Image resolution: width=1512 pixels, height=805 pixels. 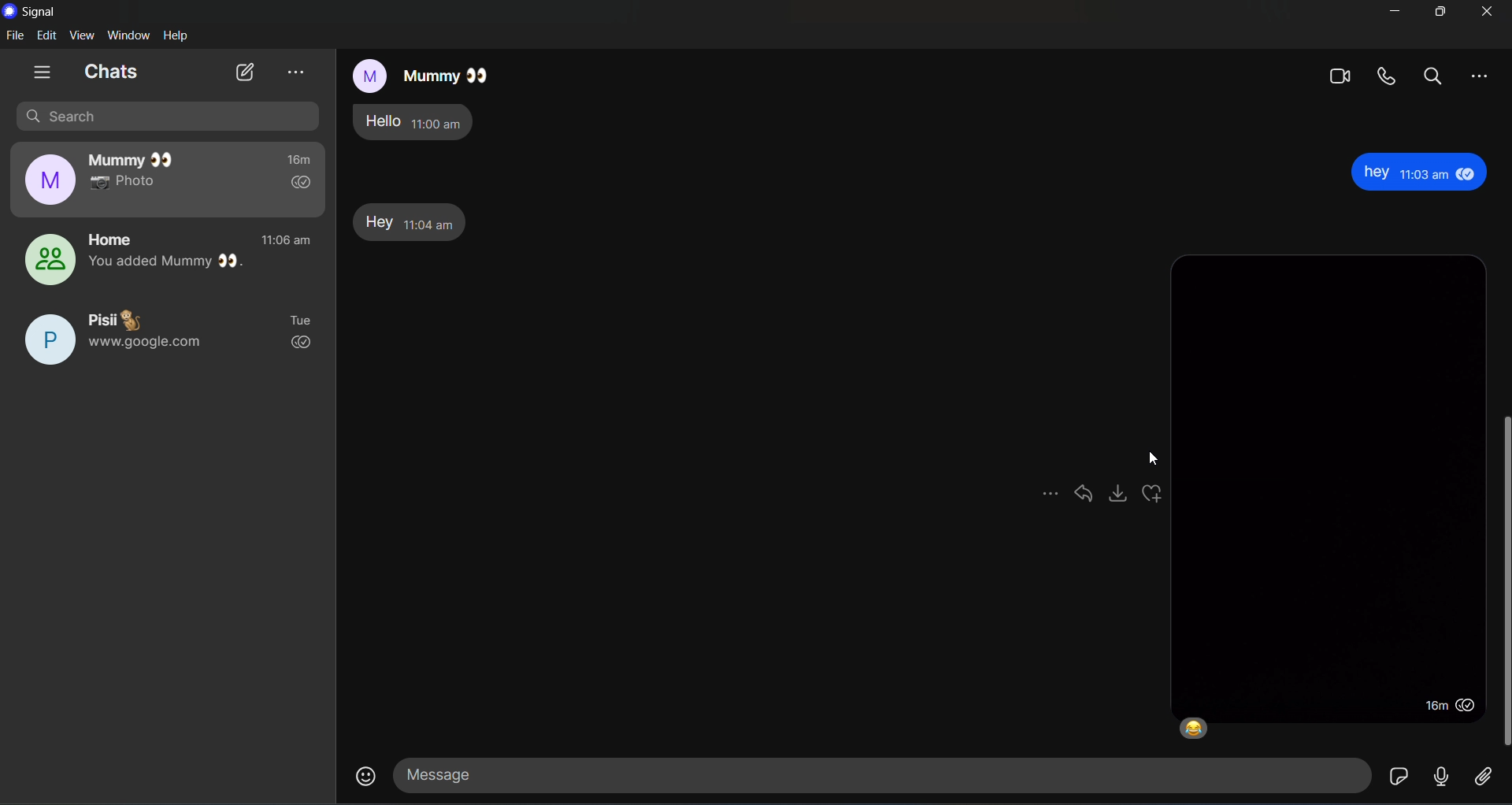 What do you see at coordinates (1433, 76) in the screenshot?
I see `search` at bounding box center [1433, 76].